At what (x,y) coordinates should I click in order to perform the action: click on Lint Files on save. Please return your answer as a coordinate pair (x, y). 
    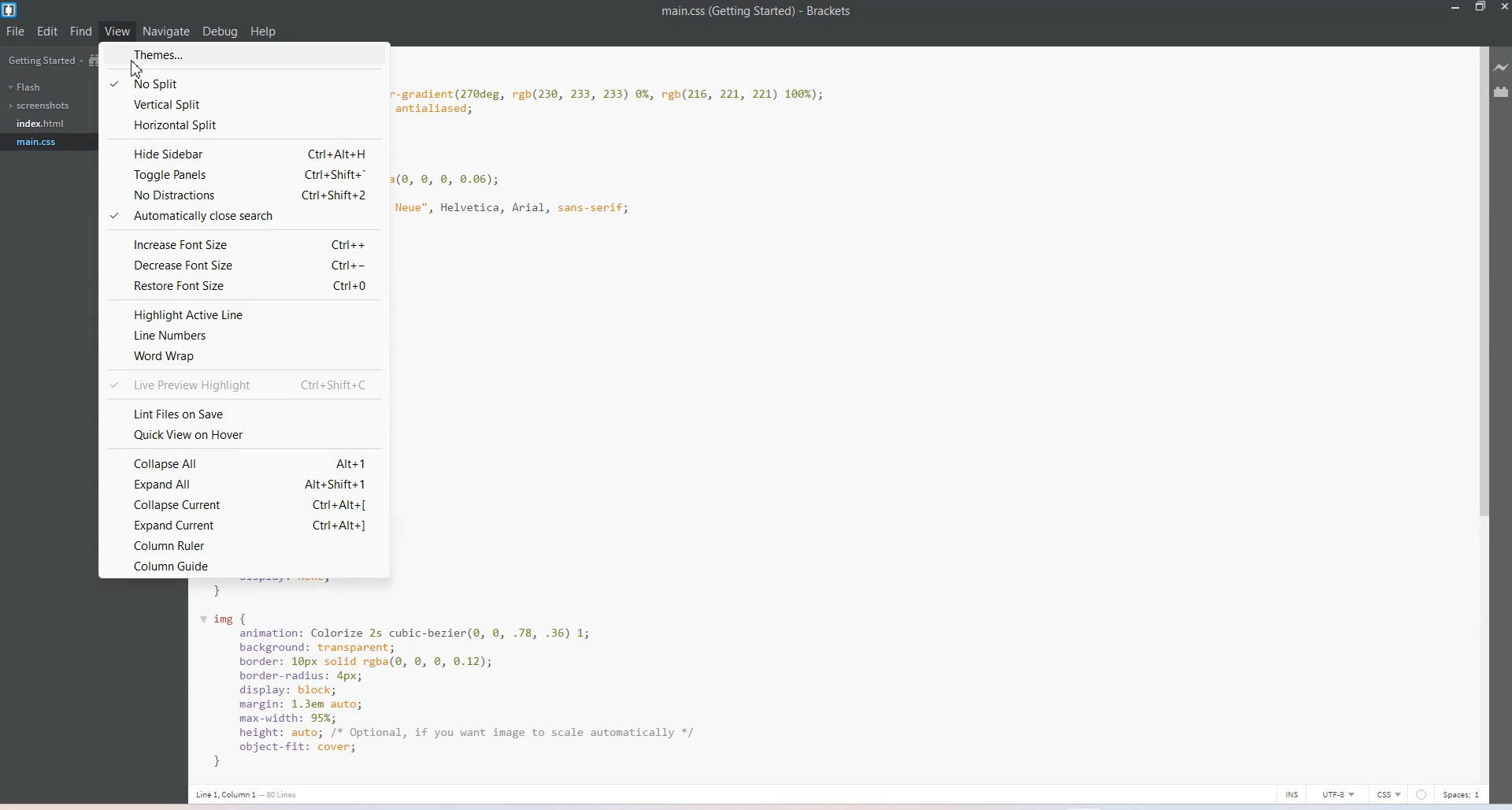
    Looking at the image, I should click on (242, 412).